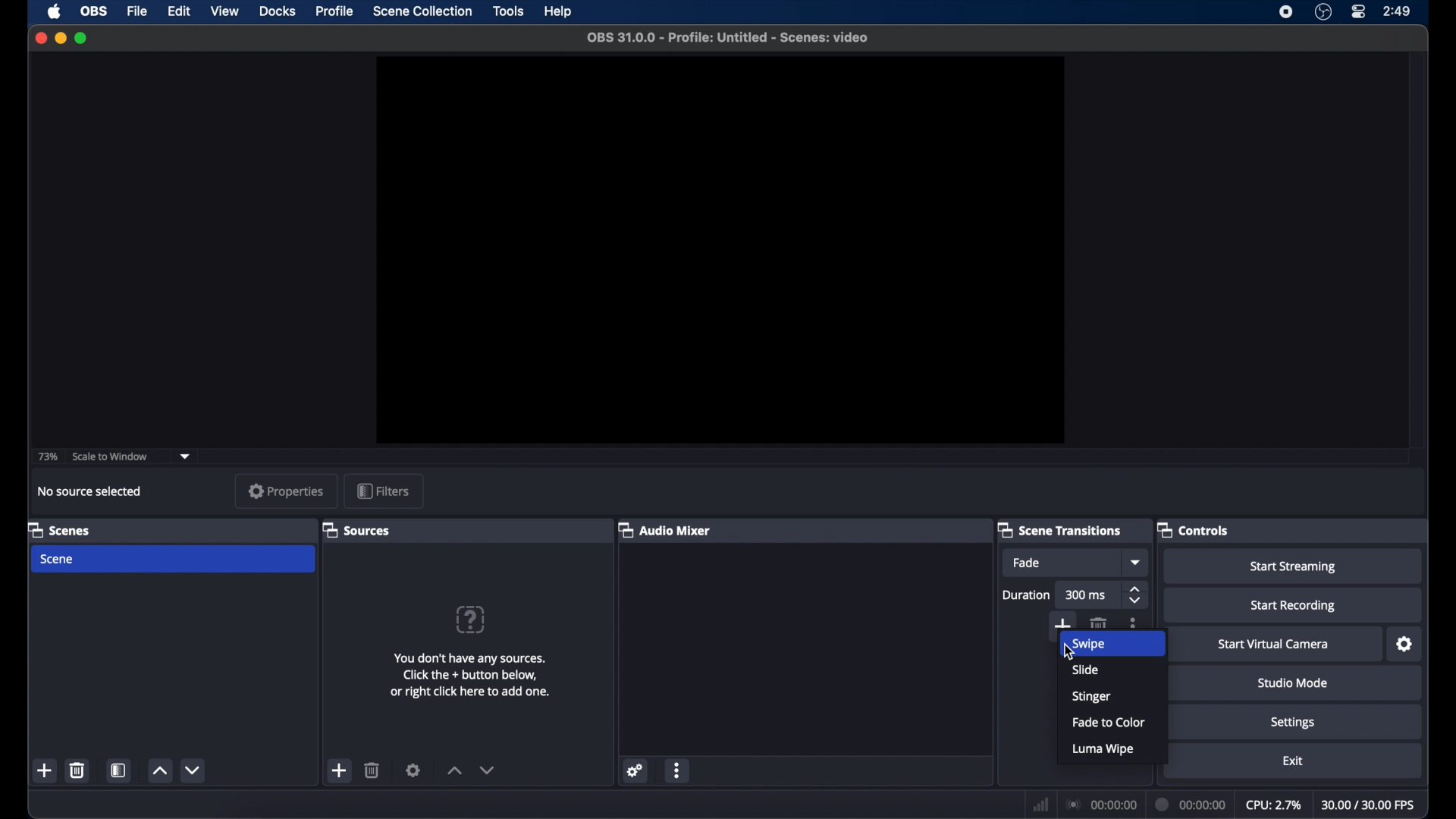 This screenshot has width=1456, height=819. What do you see at coordinates (665, 529) in the screenshot?
I see `audio mixer` at bounding box center [665, 529].